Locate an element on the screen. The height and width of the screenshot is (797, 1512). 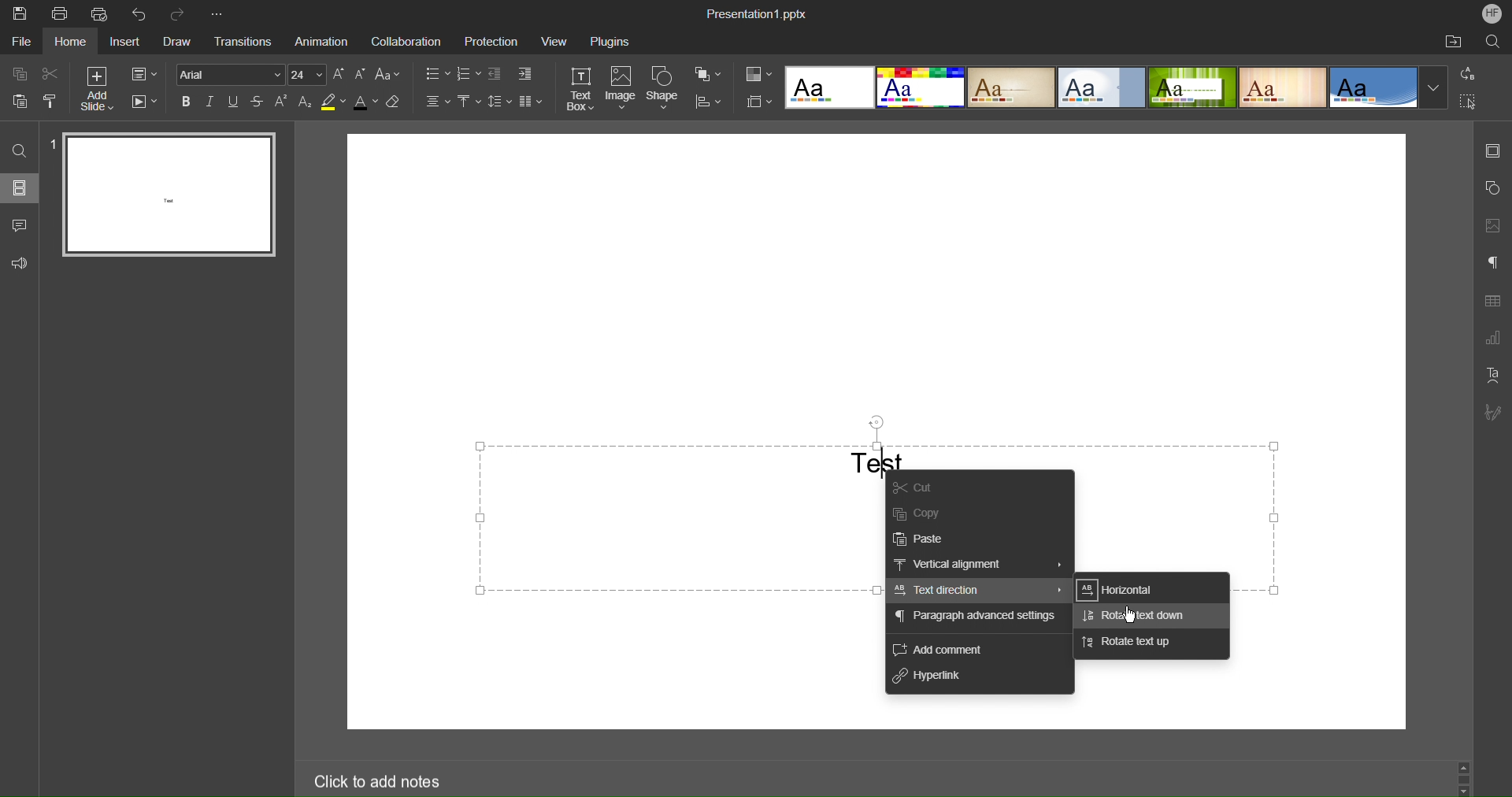
Paragraph advanced settings is located at coordinates (976, 621).